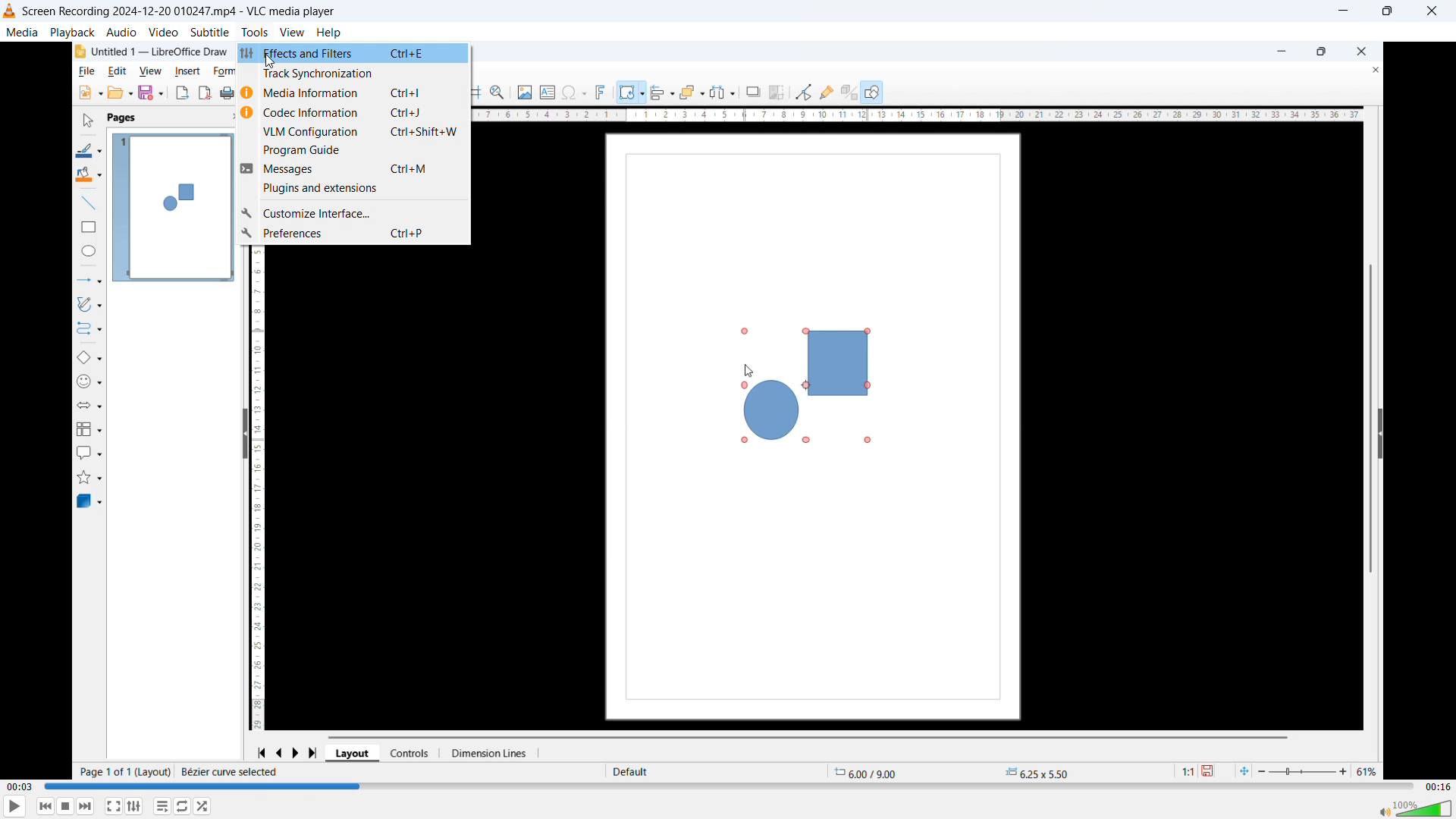 This screenshot has width=1456, height=819. Describe the element at coordinates (353, 151) in the screenshot. I see `programme guide ` at that location.